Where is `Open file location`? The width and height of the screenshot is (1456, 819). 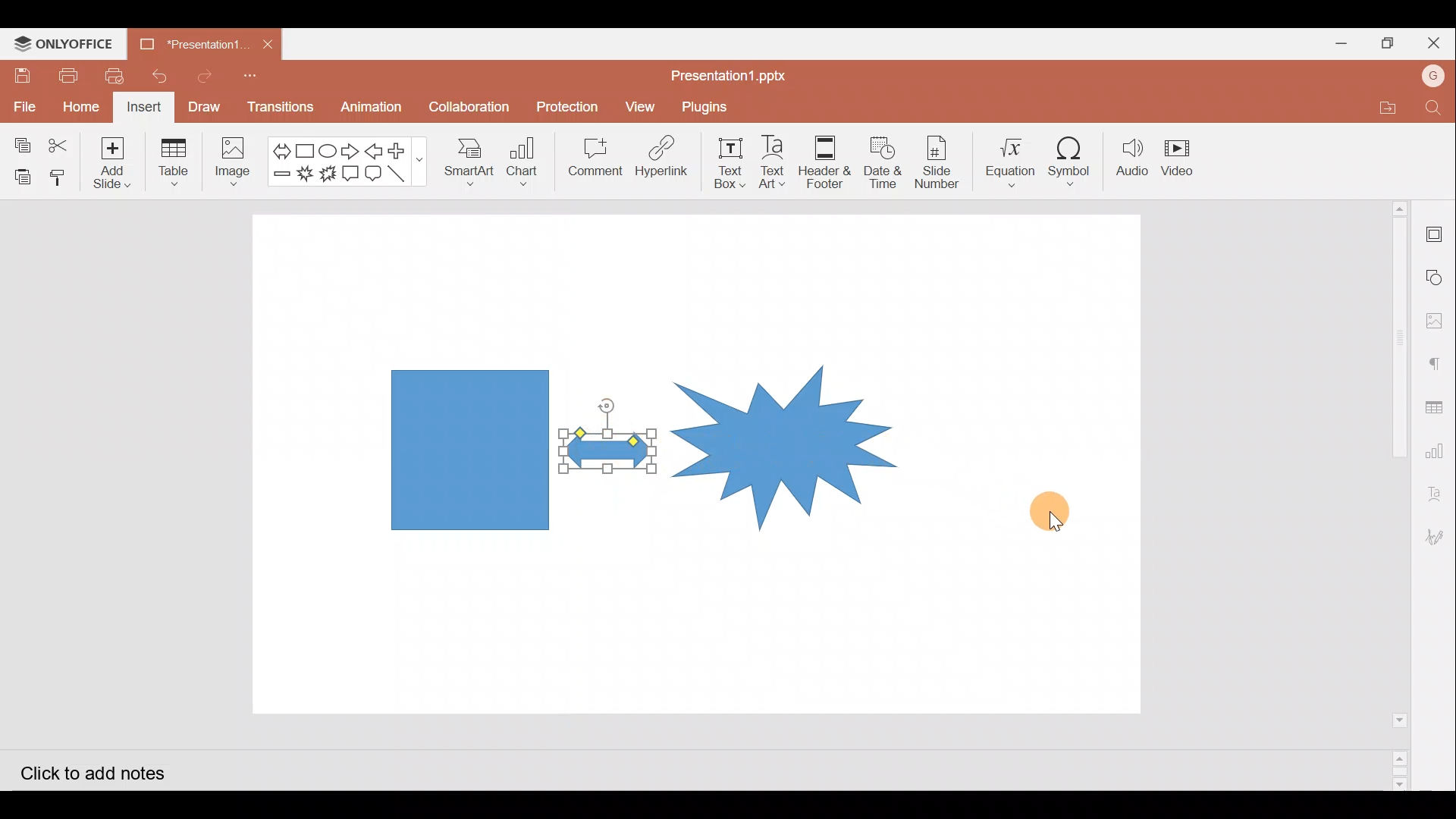 Open file location is located at coordinates (1383, 105).